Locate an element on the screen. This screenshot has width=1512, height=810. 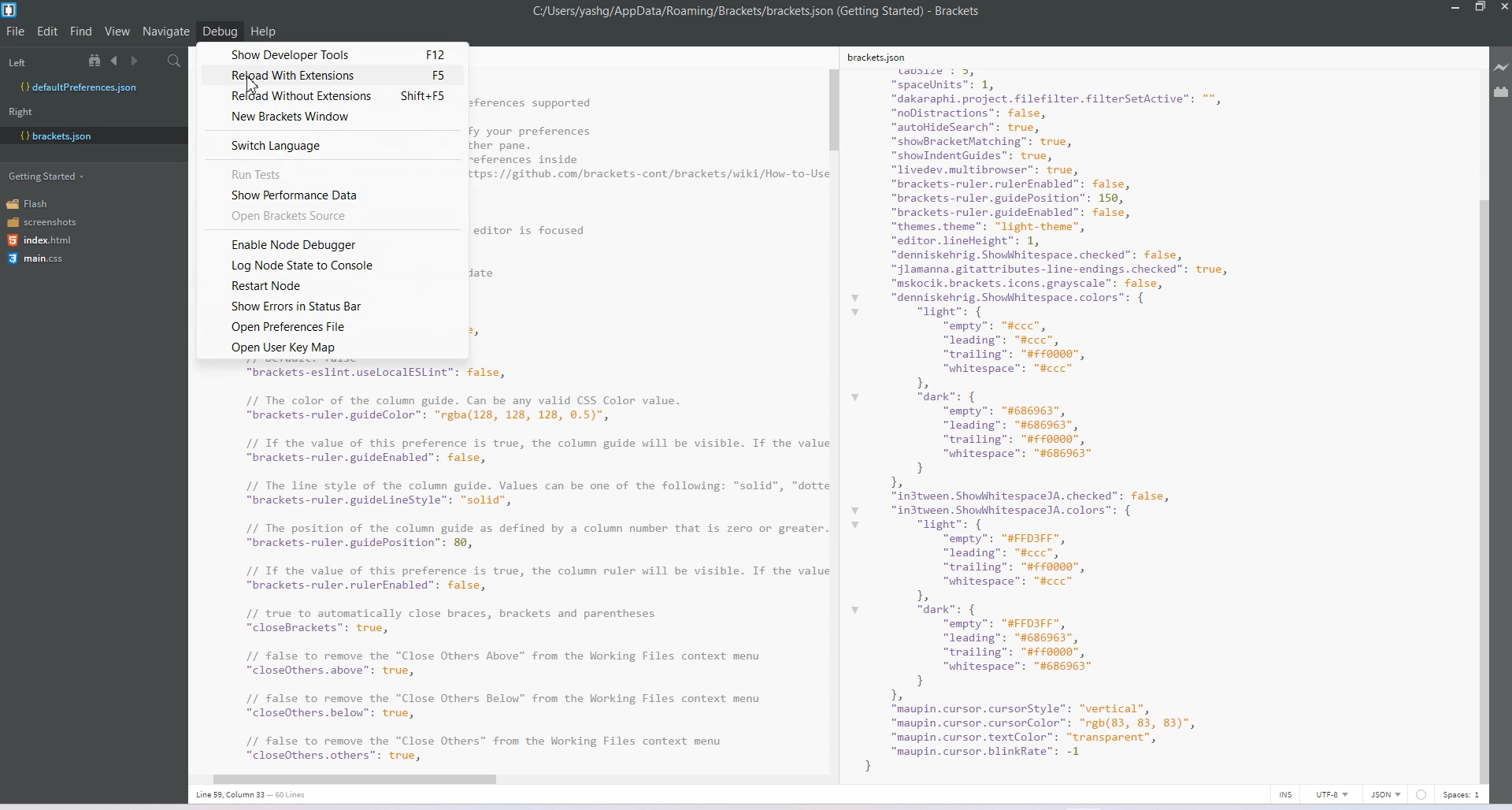
Enable Node Debugger is located at coordinates (333, 243).